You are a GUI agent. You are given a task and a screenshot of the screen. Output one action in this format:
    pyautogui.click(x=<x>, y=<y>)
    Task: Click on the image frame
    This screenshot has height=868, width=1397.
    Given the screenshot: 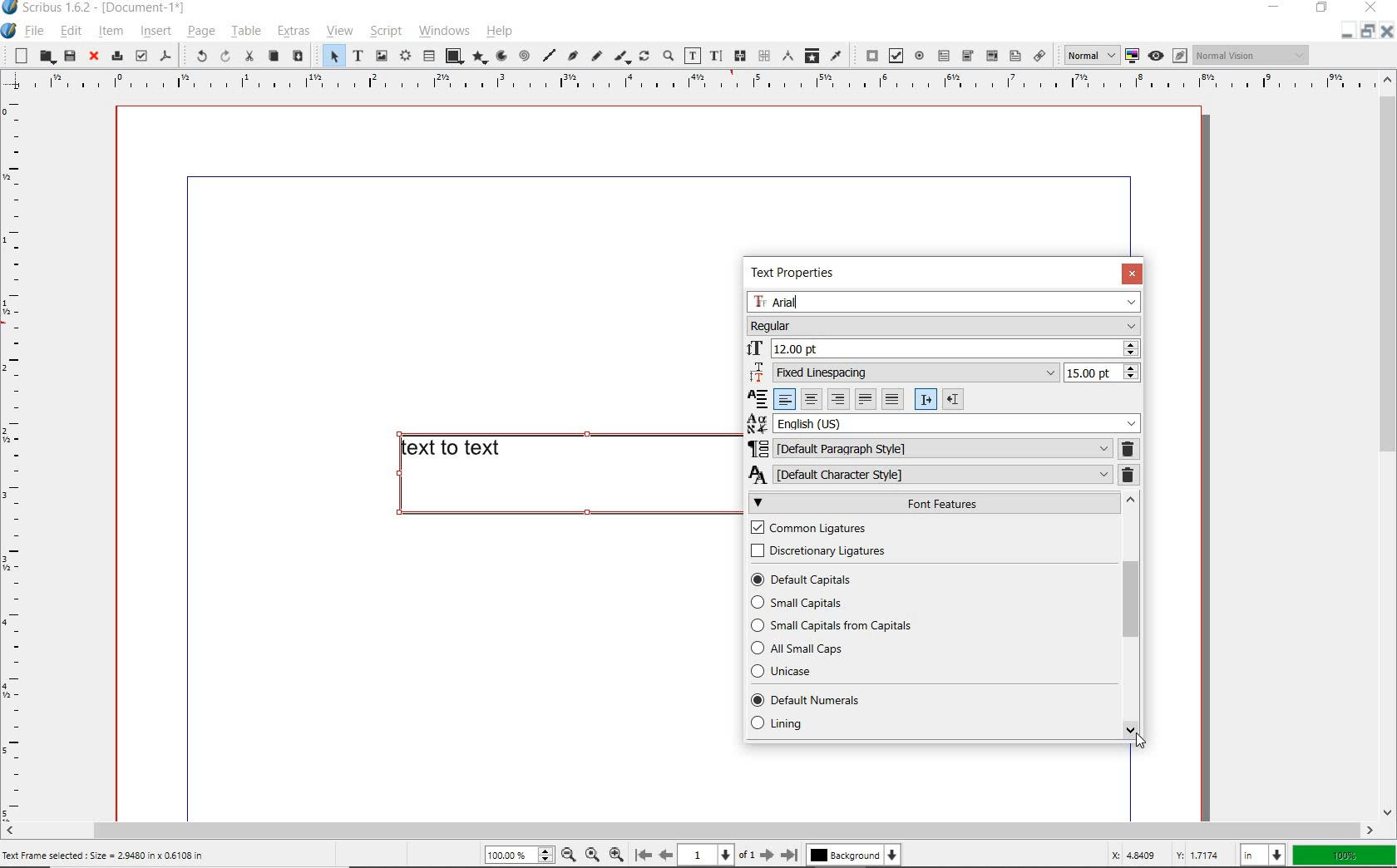 What is the action you would take?
    pyautogui.click(x=383, y=56)
    